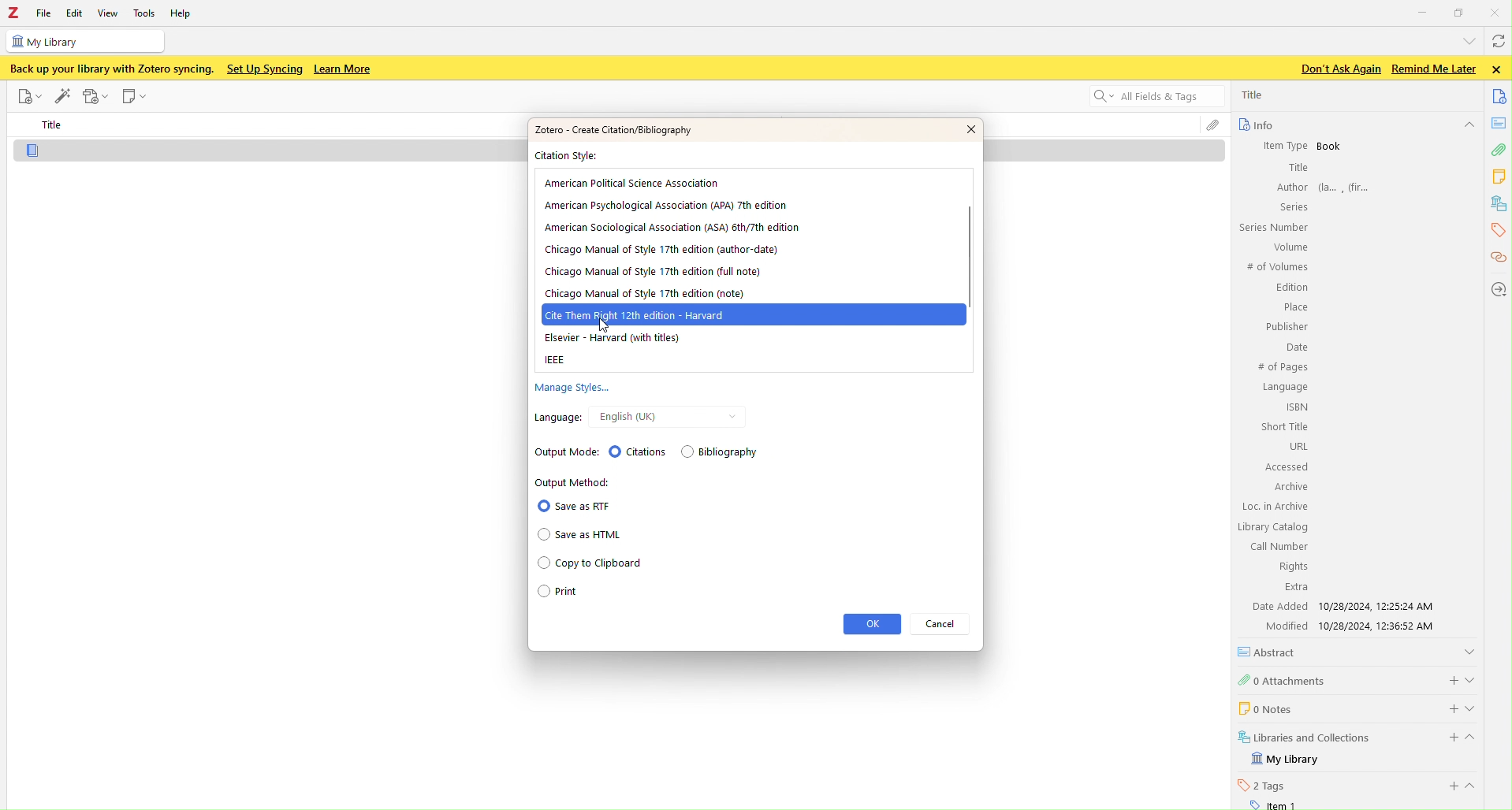  What do you see at coordinates (235, 149) in the screenshot?
I see `Document` at bounding box center [235, 149].